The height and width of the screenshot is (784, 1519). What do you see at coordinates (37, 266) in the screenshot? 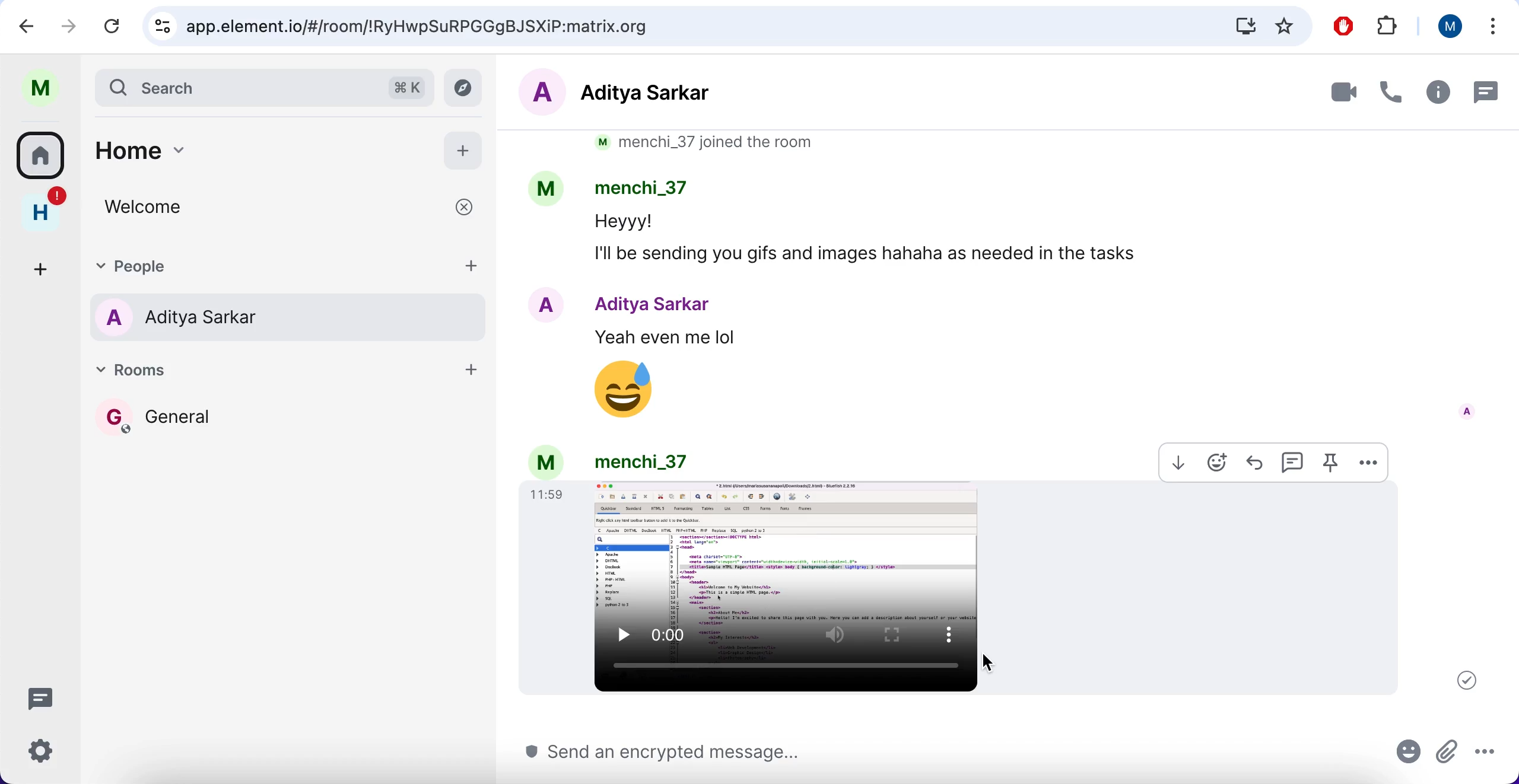
I see `create a space` at bounding box center [37, 266].